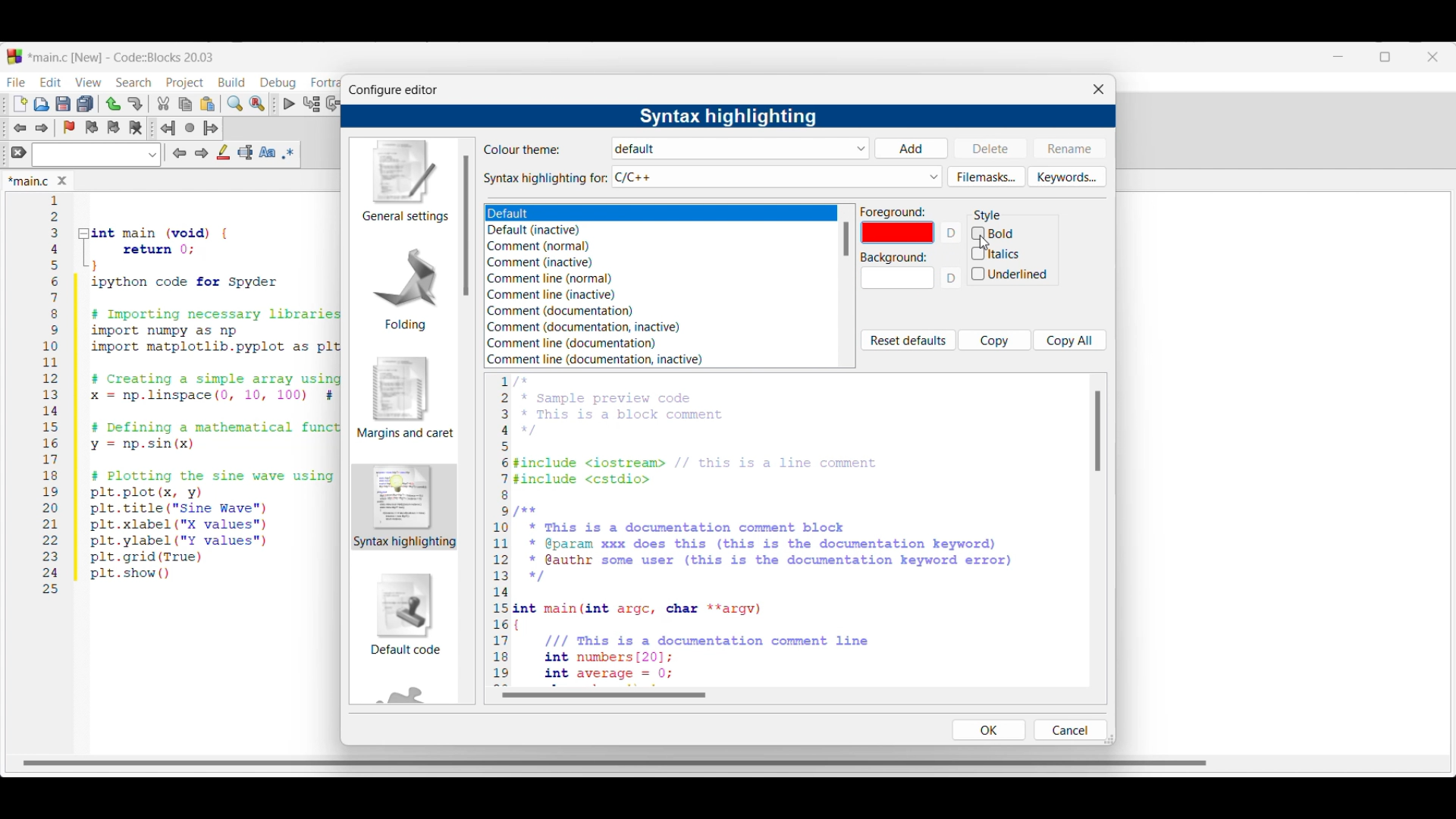 This screenshot has height=819, width=1456. Describe the element at coordinates (290, 104) in the screenshot. I see `Debug/Continue` at that location.